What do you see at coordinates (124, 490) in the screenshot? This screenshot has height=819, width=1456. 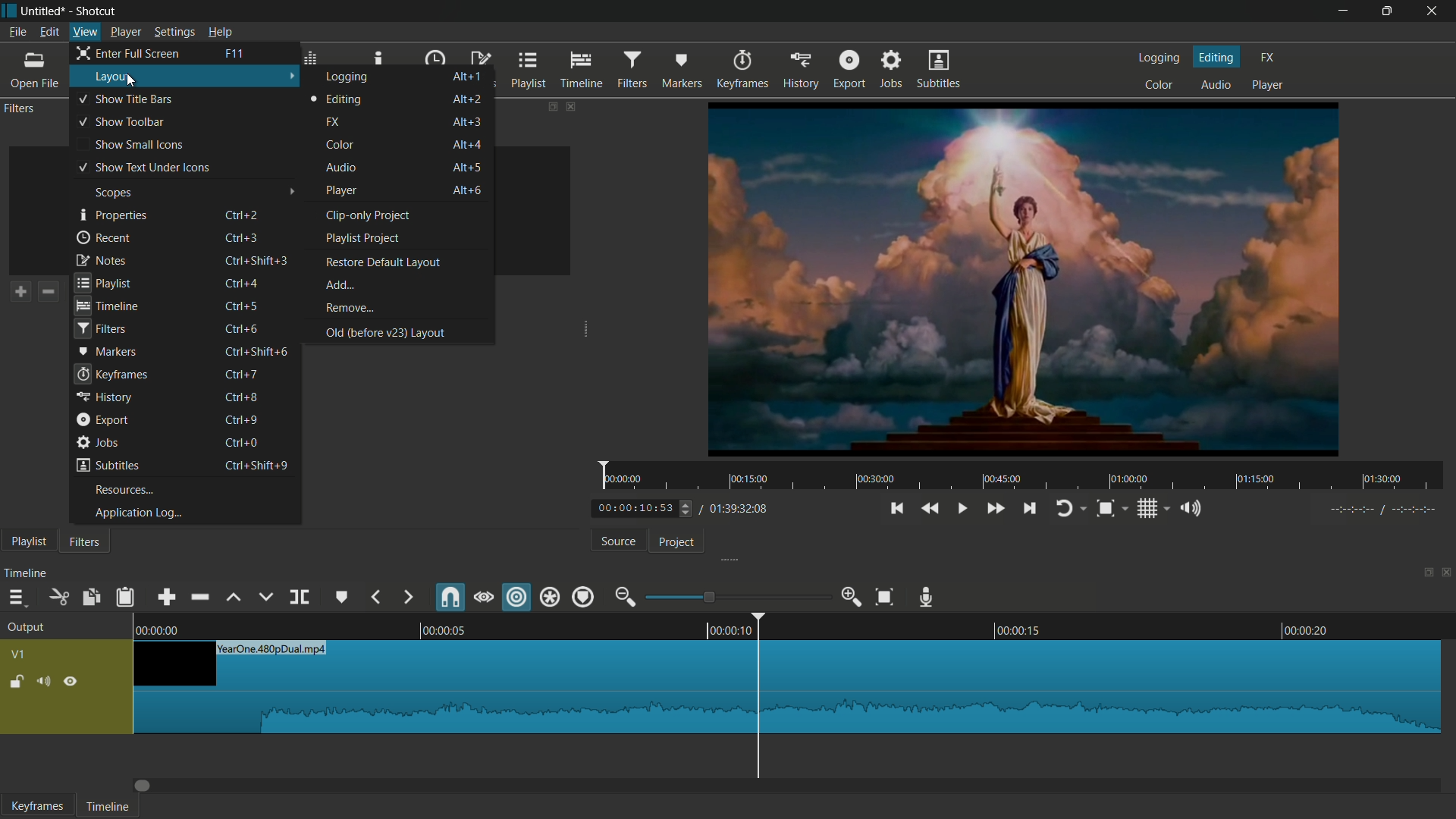 I see `resources` at bounding box center [124, 490].